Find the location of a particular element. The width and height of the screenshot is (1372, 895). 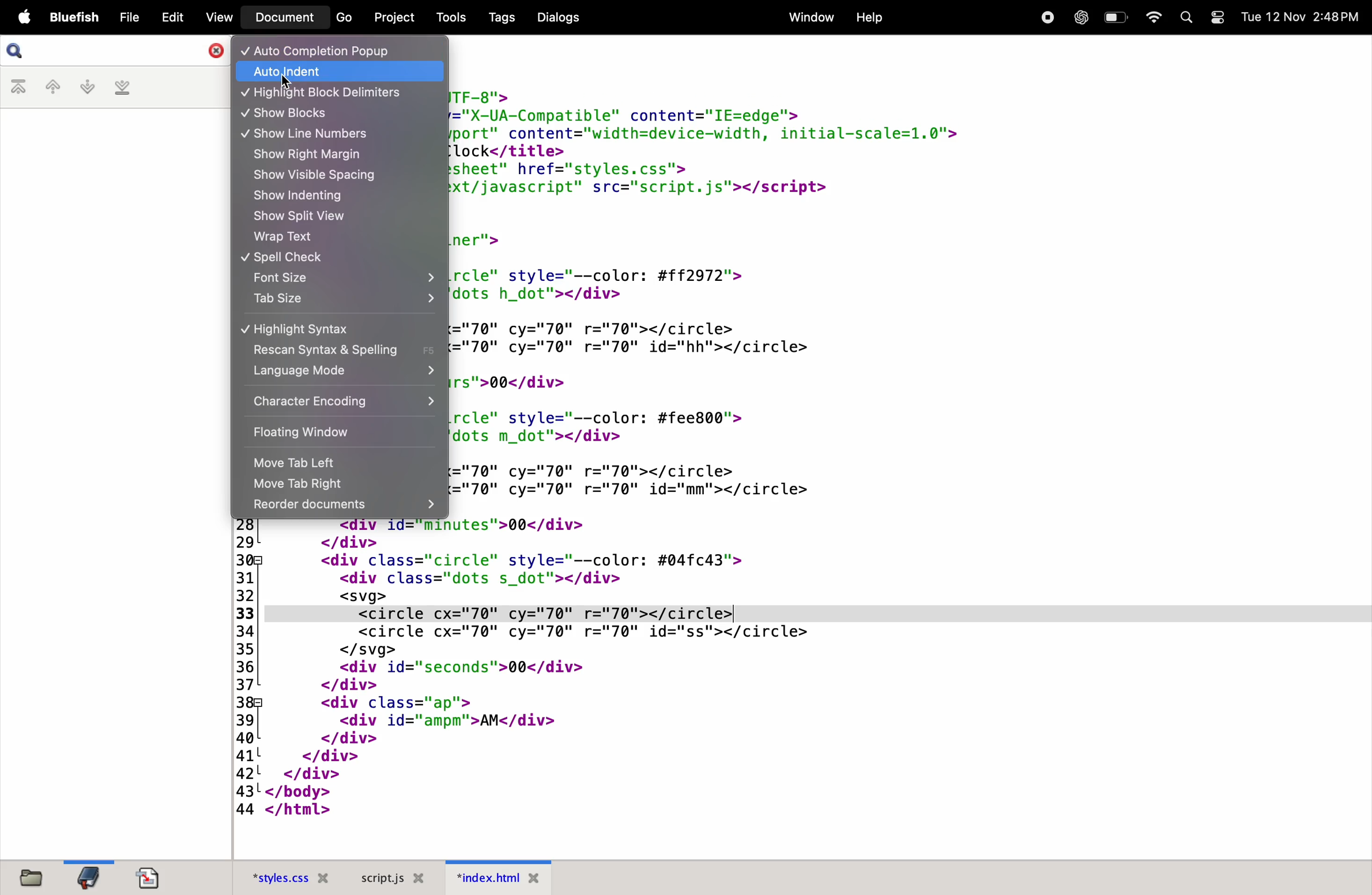

first bookmark is located at coordinates (21, 88).